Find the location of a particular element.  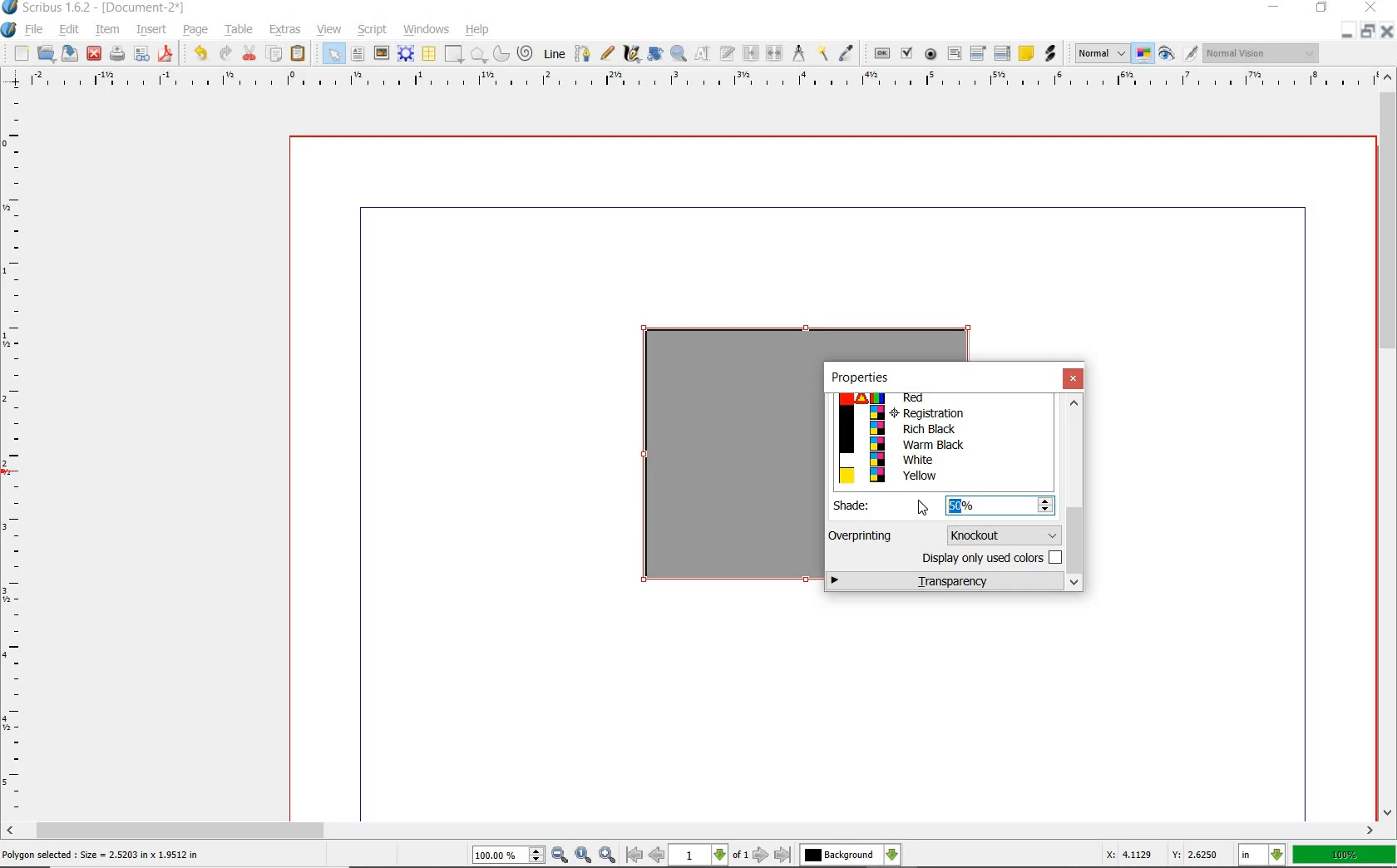

calligraphic line is located at coordinates (631, 54).